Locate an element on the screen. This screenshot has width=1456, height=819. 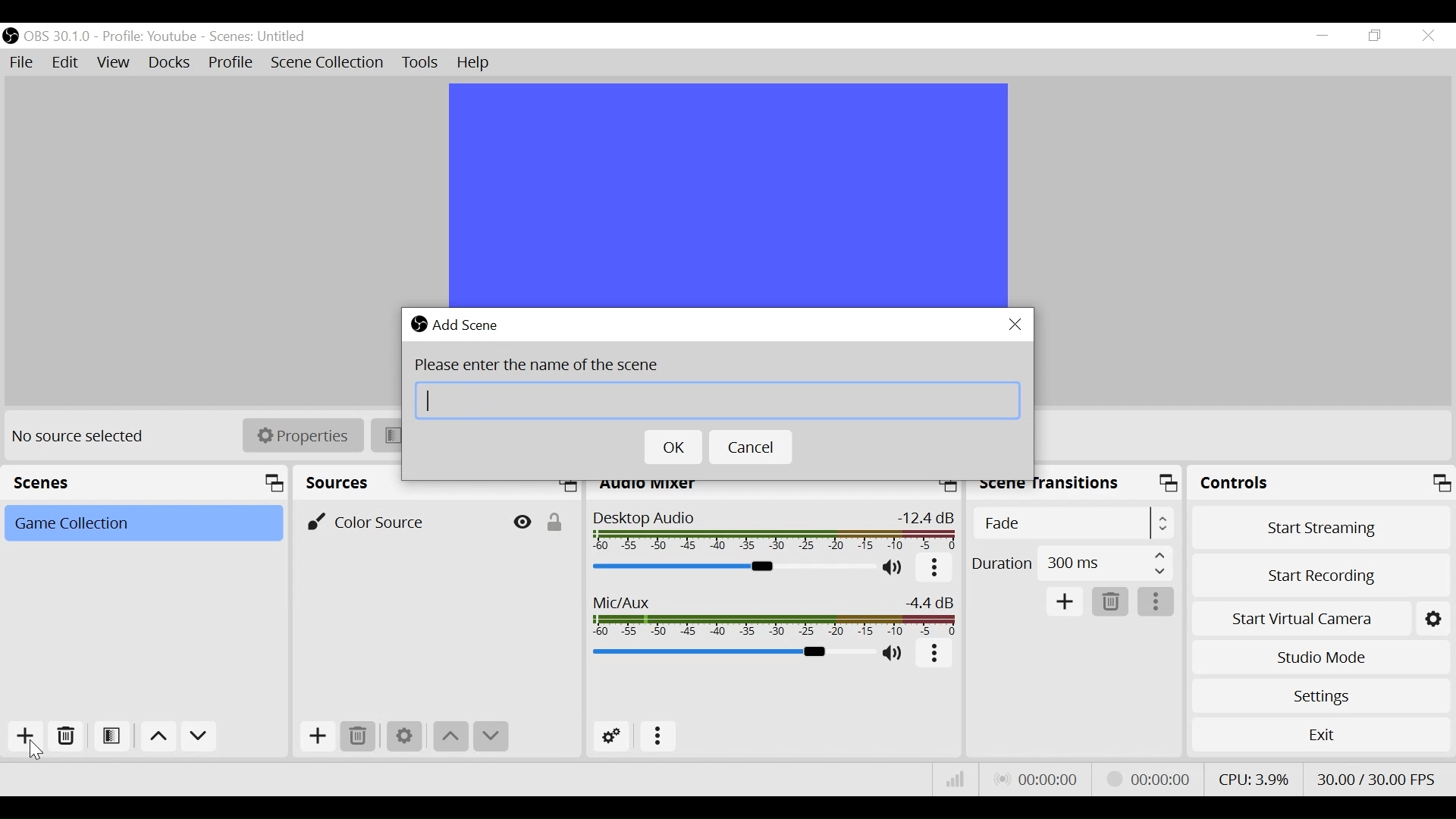
Profile is located at coordinates (231, 64).